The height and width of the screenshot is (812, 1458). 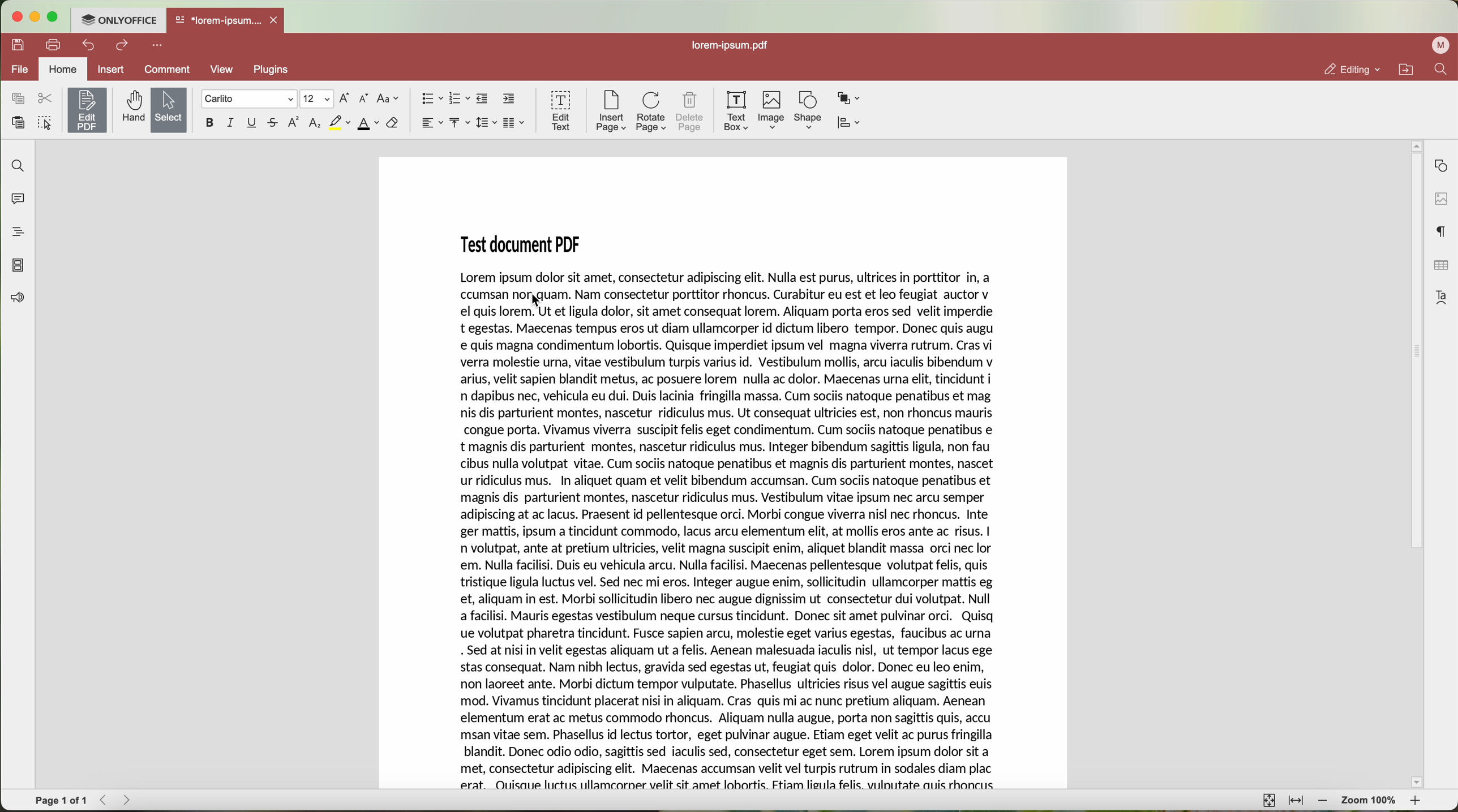 What do you see at coordinates (123, 45) in the screenshot?
I see `redo` at bounding box center [123, 45].